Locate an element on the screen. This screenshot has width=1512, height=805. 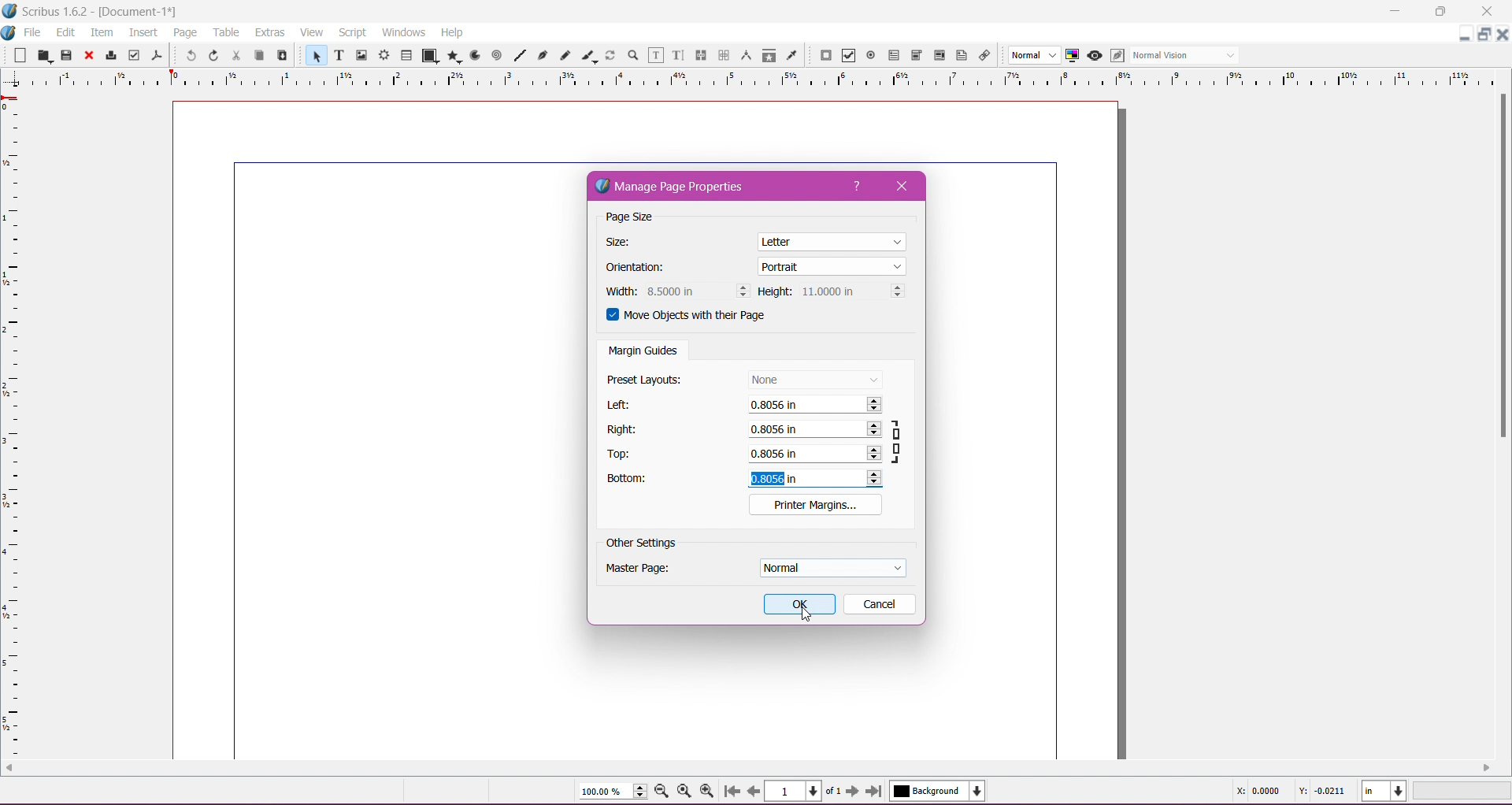
Open is located at coordinates (42, 55).